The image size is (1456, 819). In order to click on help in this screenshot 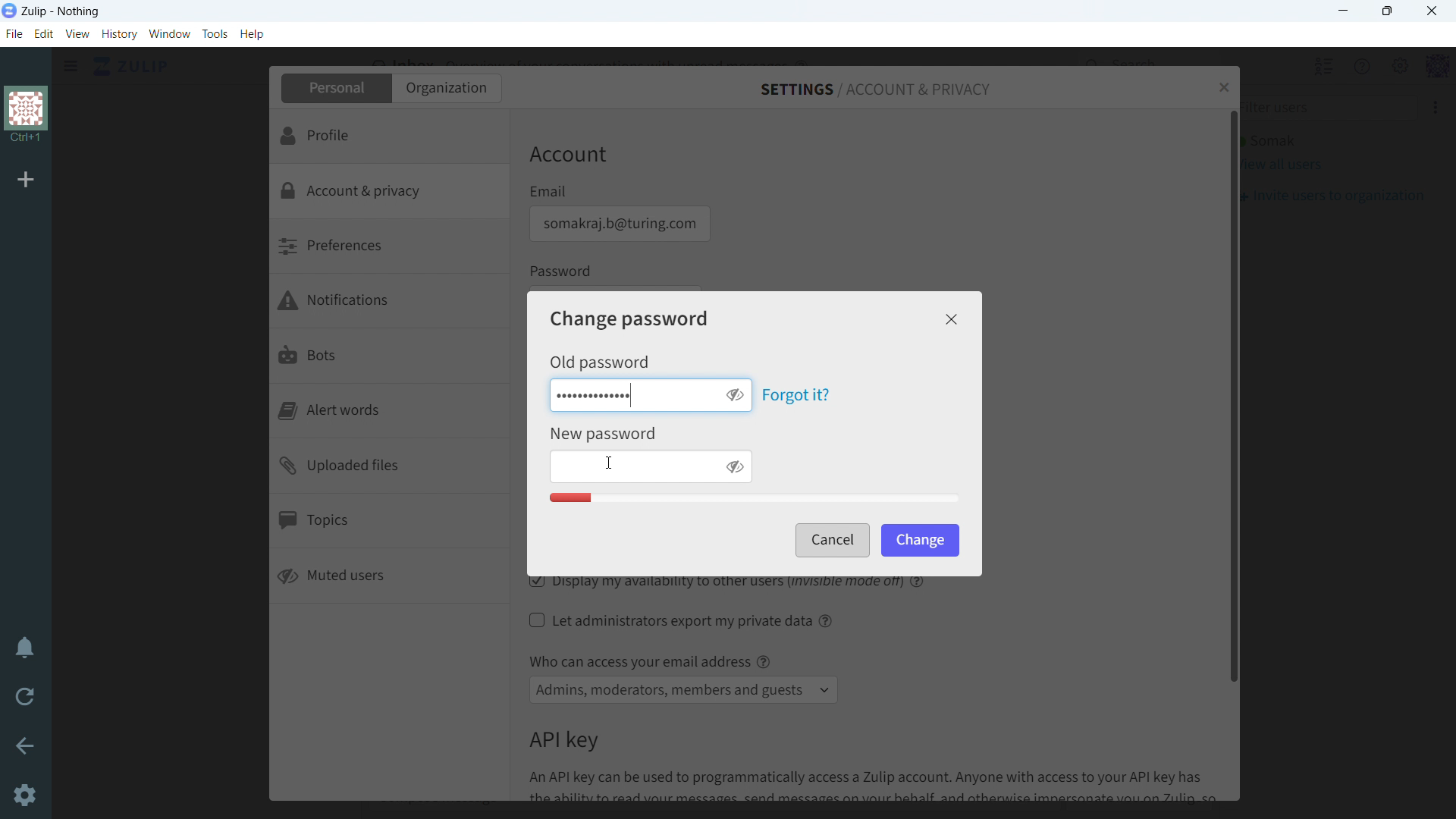, I will do `click(827, 620)`.